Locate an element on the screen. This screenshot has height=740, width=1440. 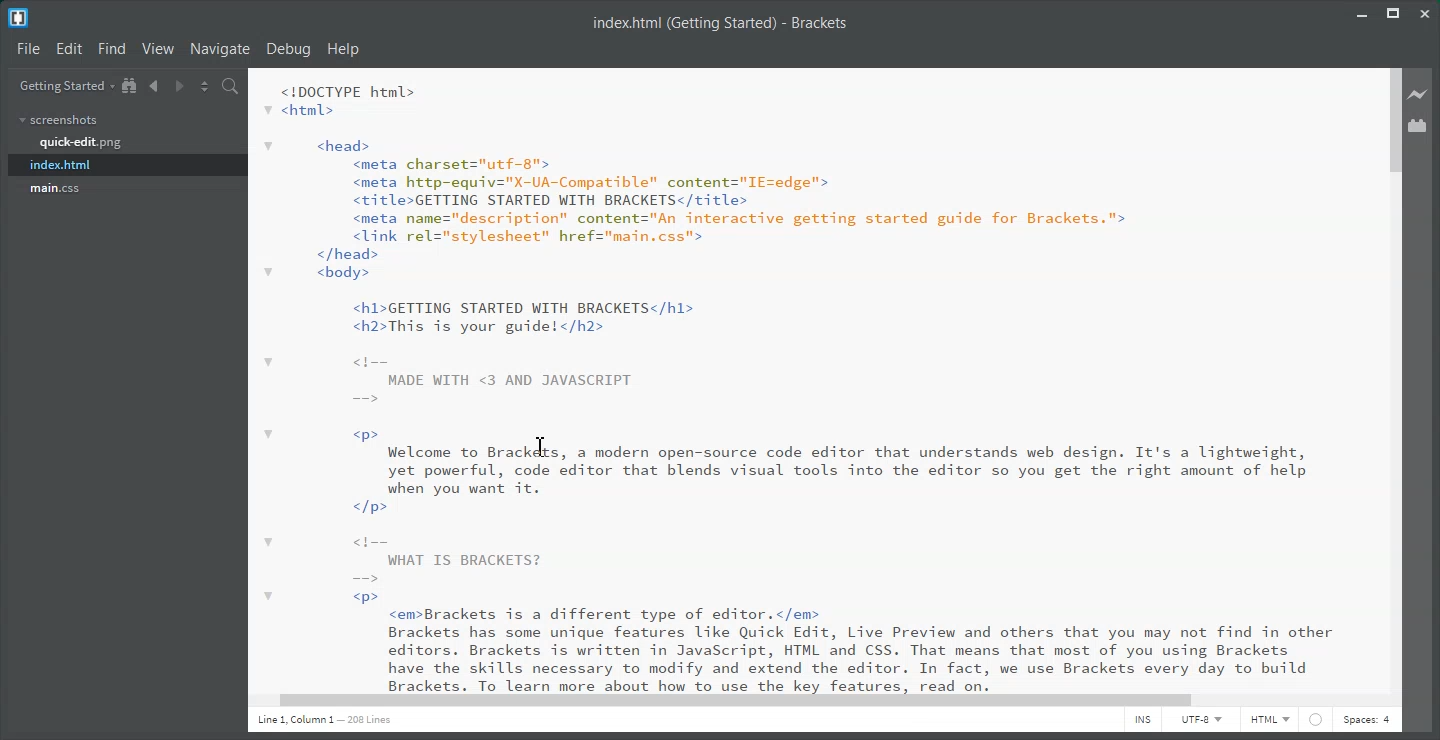
Horizontal Scroll Bar is located at coordinates (811, 700).